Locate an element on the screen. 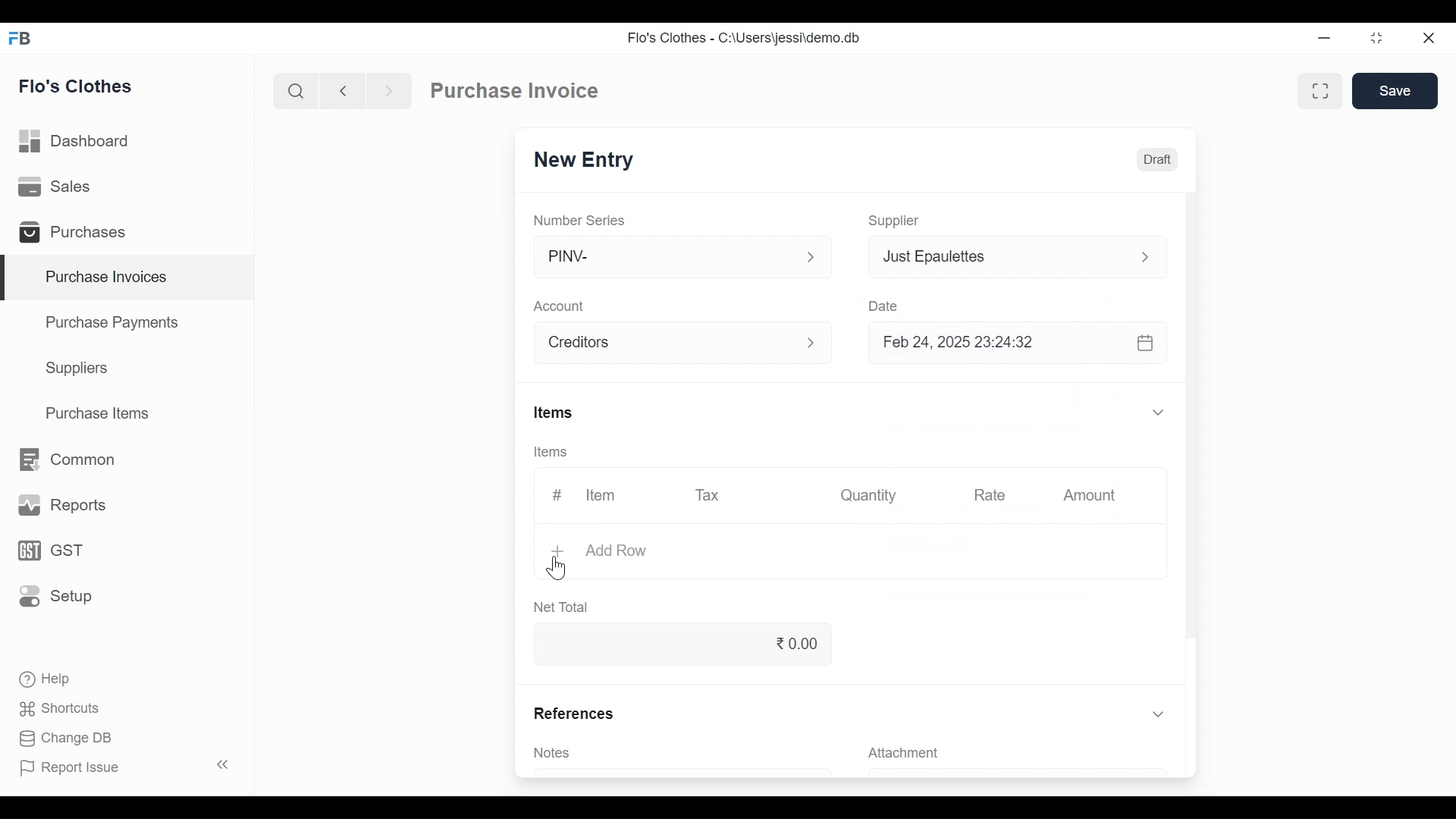 The width and height of the screenshot is (1456, 819). Account is located at coordinates (669, 342).